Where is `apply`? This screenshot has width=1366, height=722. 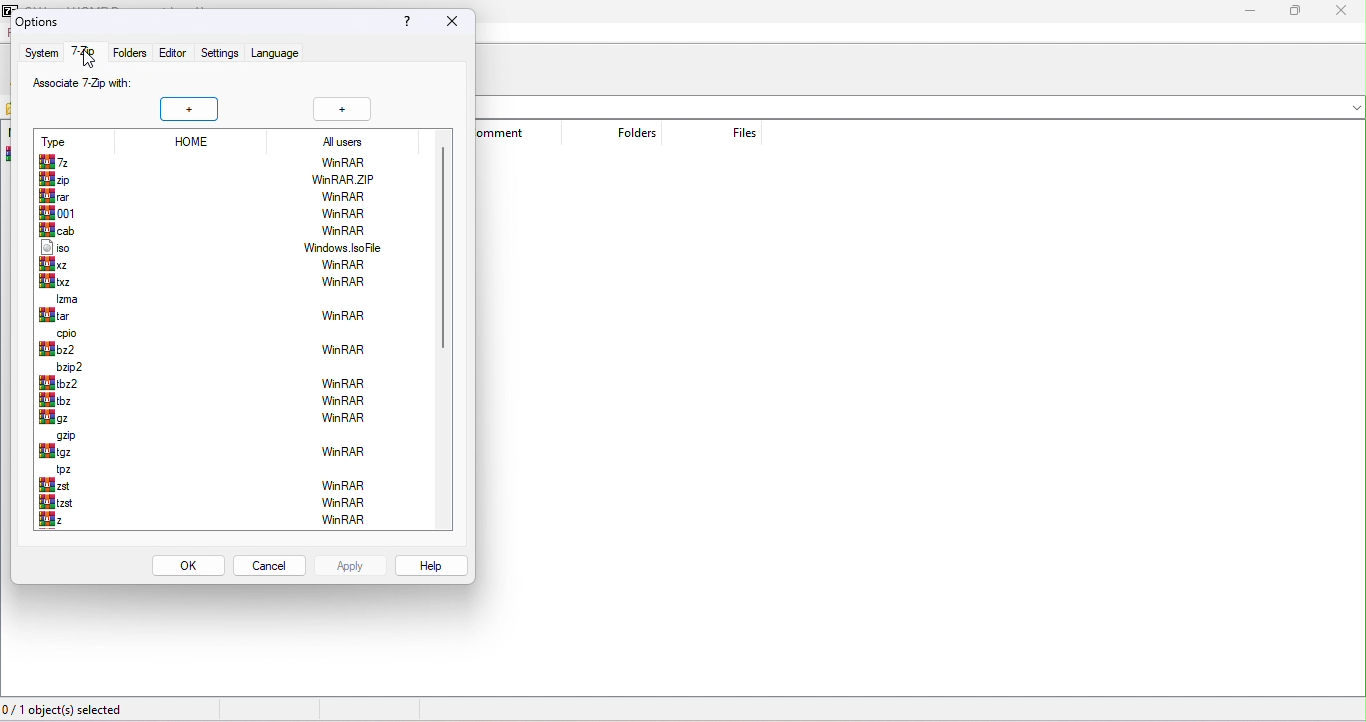 apply is located at coordinates (351, 566).